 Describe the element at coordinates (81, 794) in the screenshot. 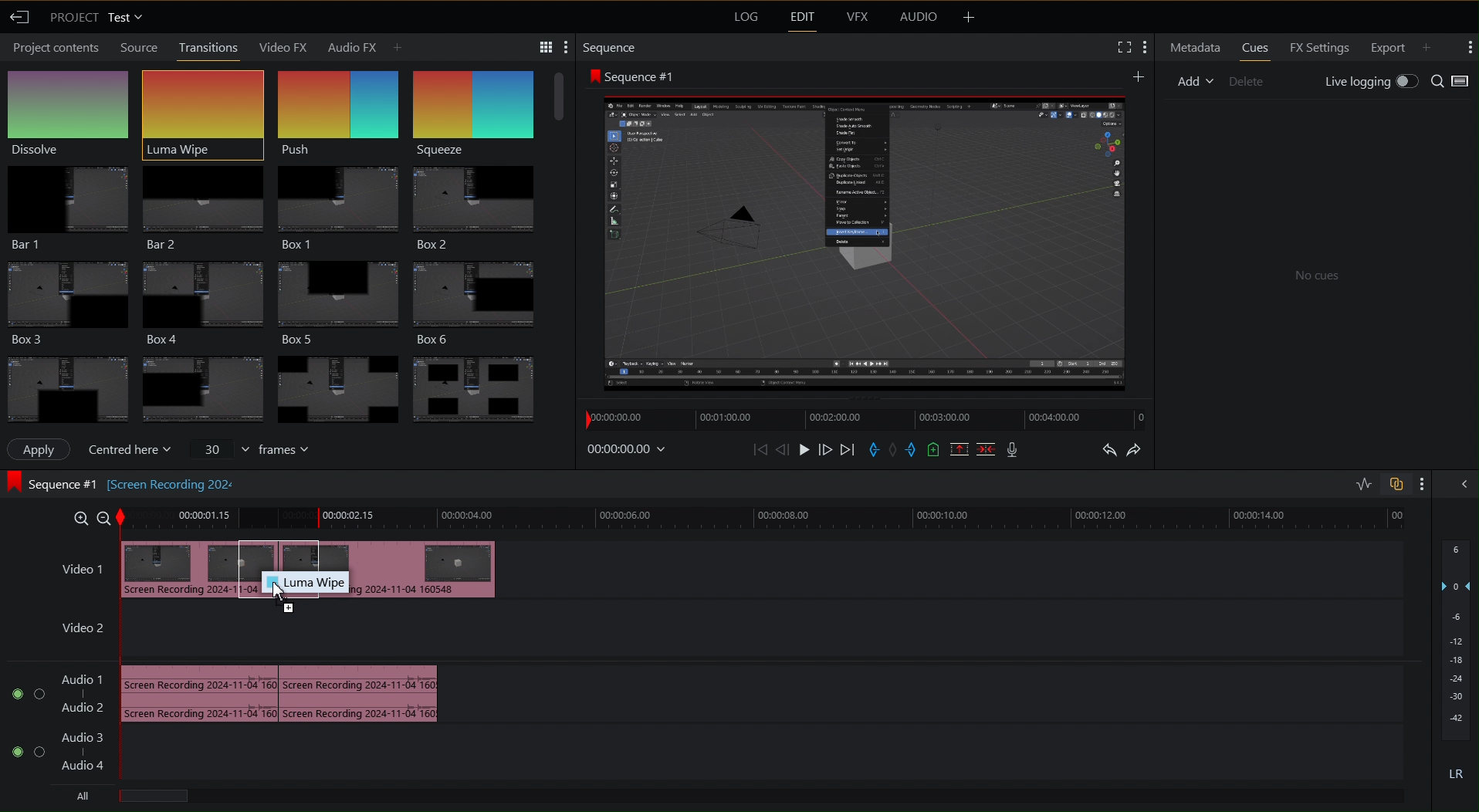

I see `All` at that location.